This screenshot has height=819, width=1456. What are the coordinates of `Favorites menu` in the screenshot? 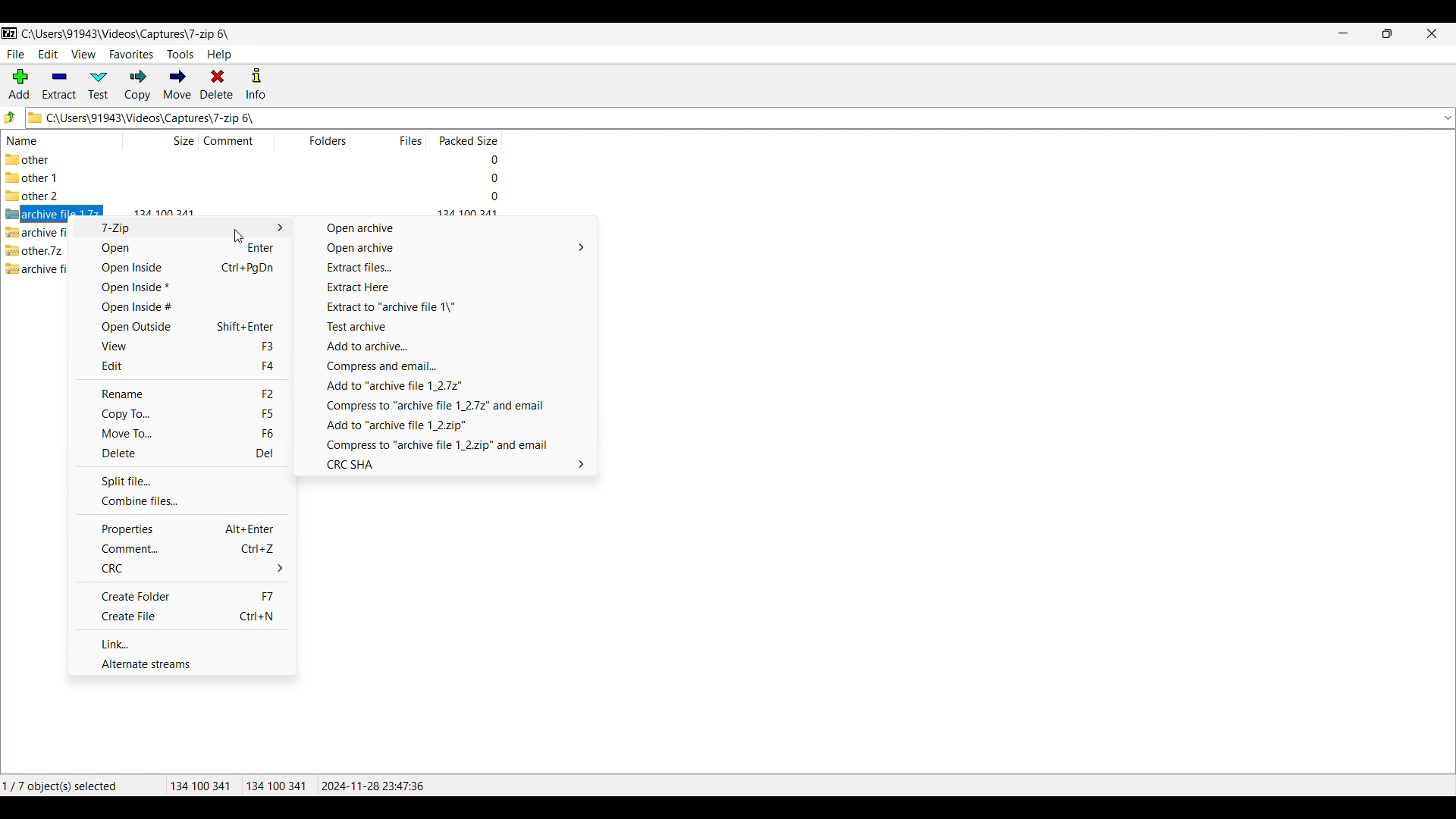 It's located at (131, 55).